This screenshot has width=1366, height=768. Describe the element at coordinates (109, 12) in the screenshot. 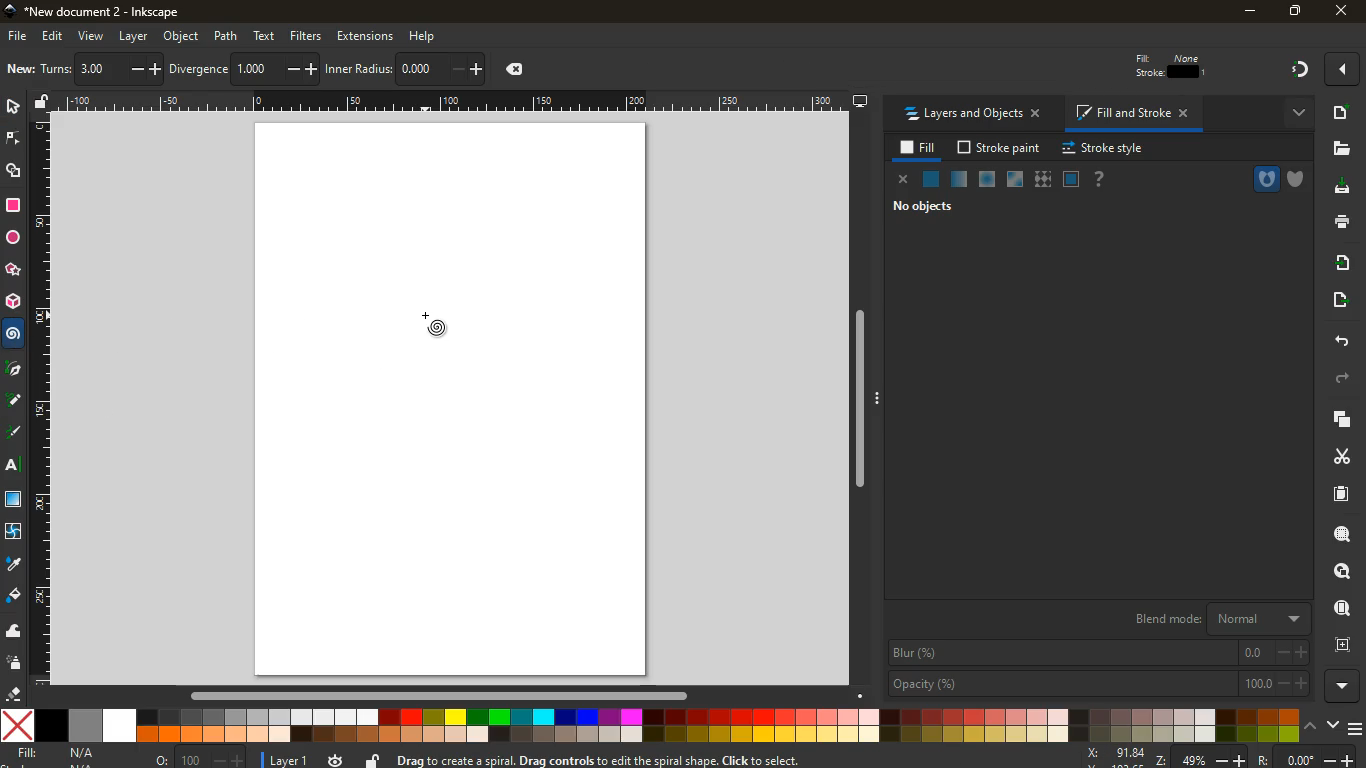

I see `inkscape` at that location.